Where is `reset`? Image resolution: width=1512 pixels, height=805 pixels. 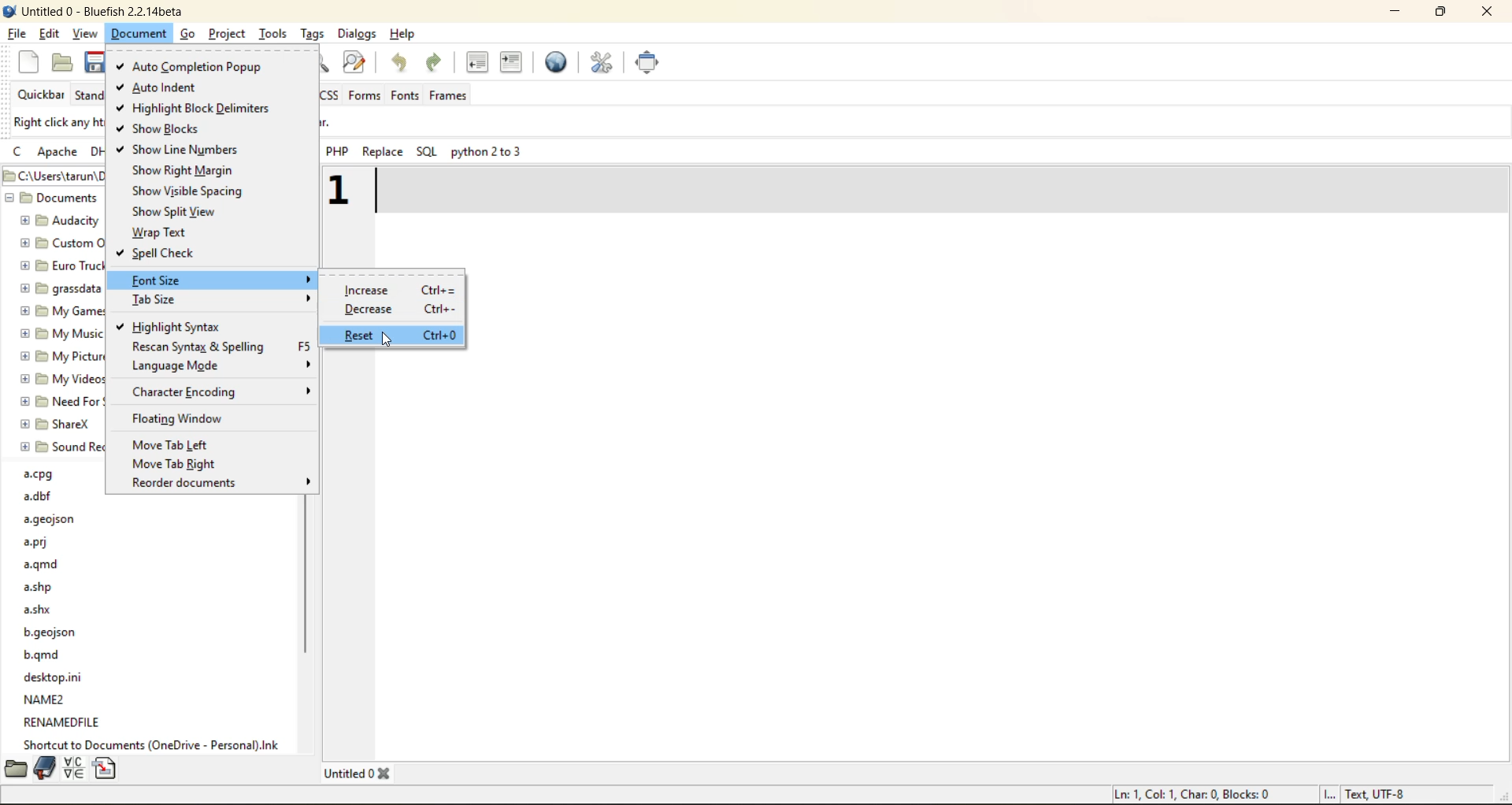 reset is located at coordinates (405, 338).